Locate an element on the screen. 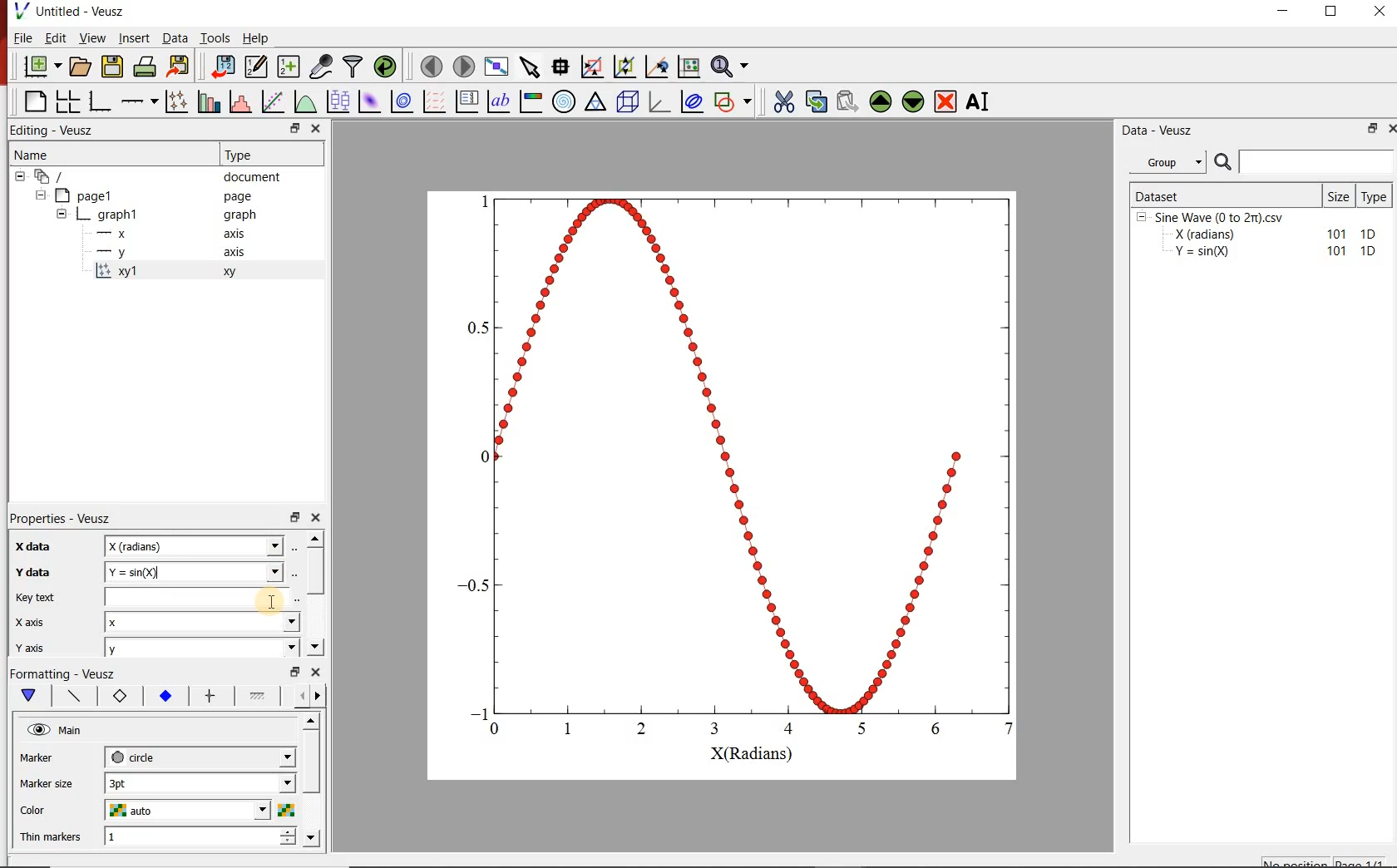  xy is located at coordinates (226, 272).